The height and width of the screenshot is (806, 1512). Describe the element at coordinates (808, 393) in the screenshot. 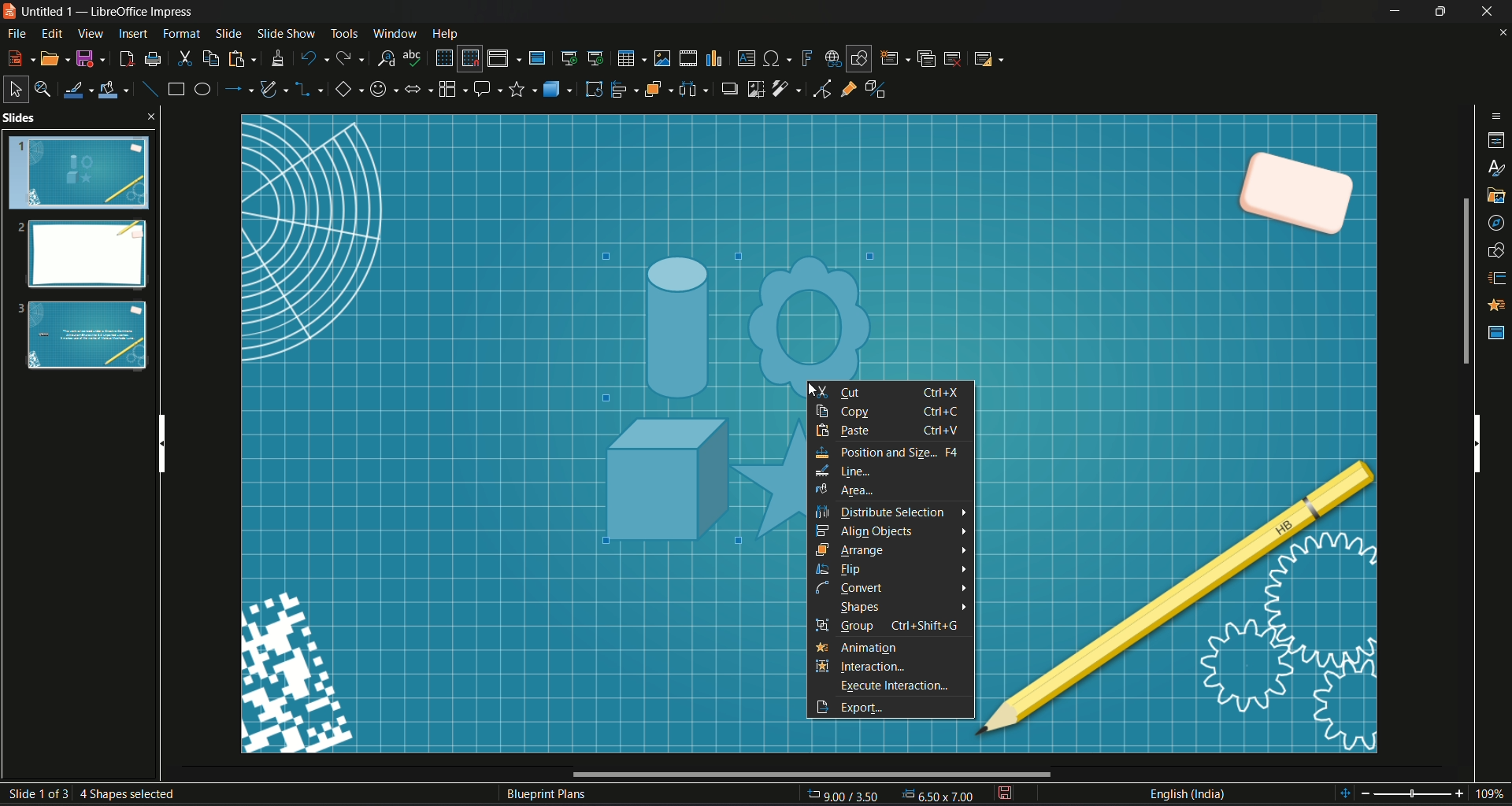

I see `cursor` at that location.